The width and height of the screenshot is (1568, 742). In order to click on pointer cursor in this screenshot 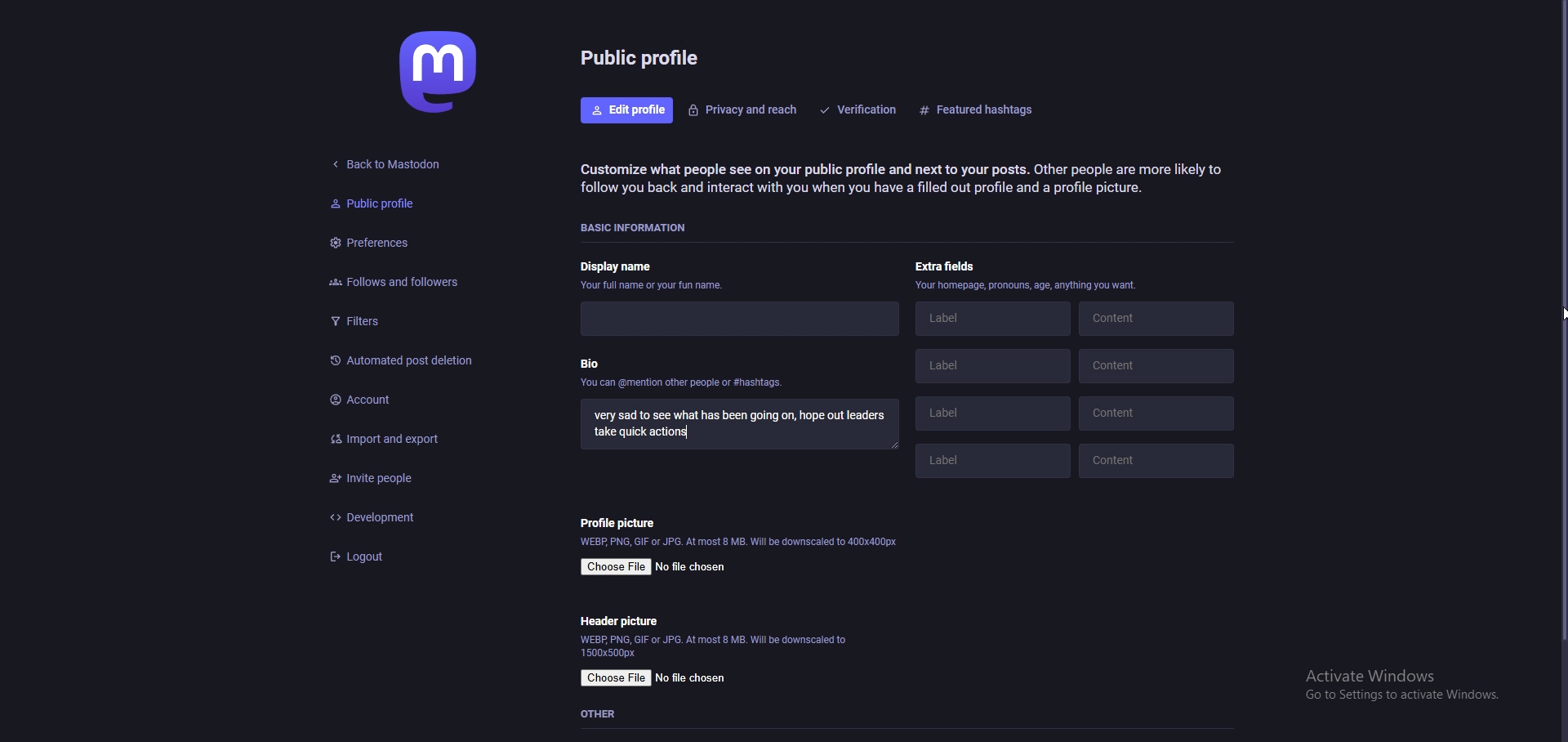, I will do `click(1558, 324)`.